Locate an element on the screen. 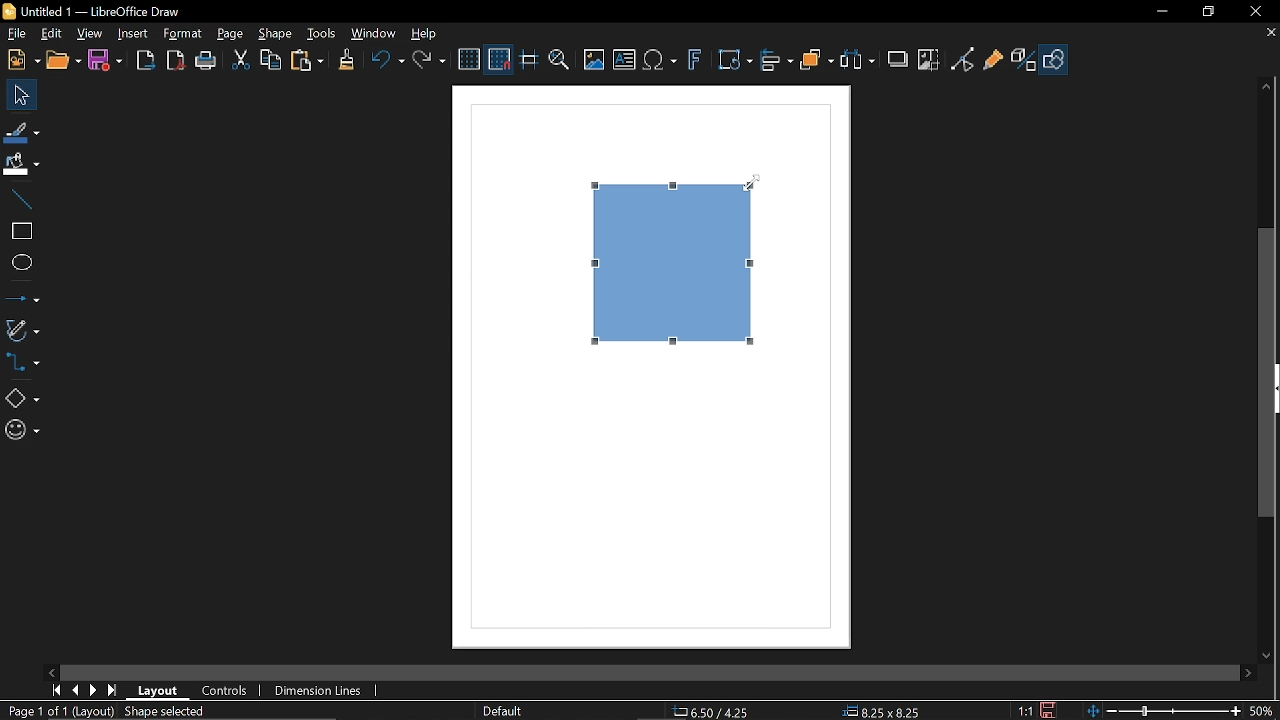 This screenshot has width=1280, height=720. Page is located at coordinates (230, 34).